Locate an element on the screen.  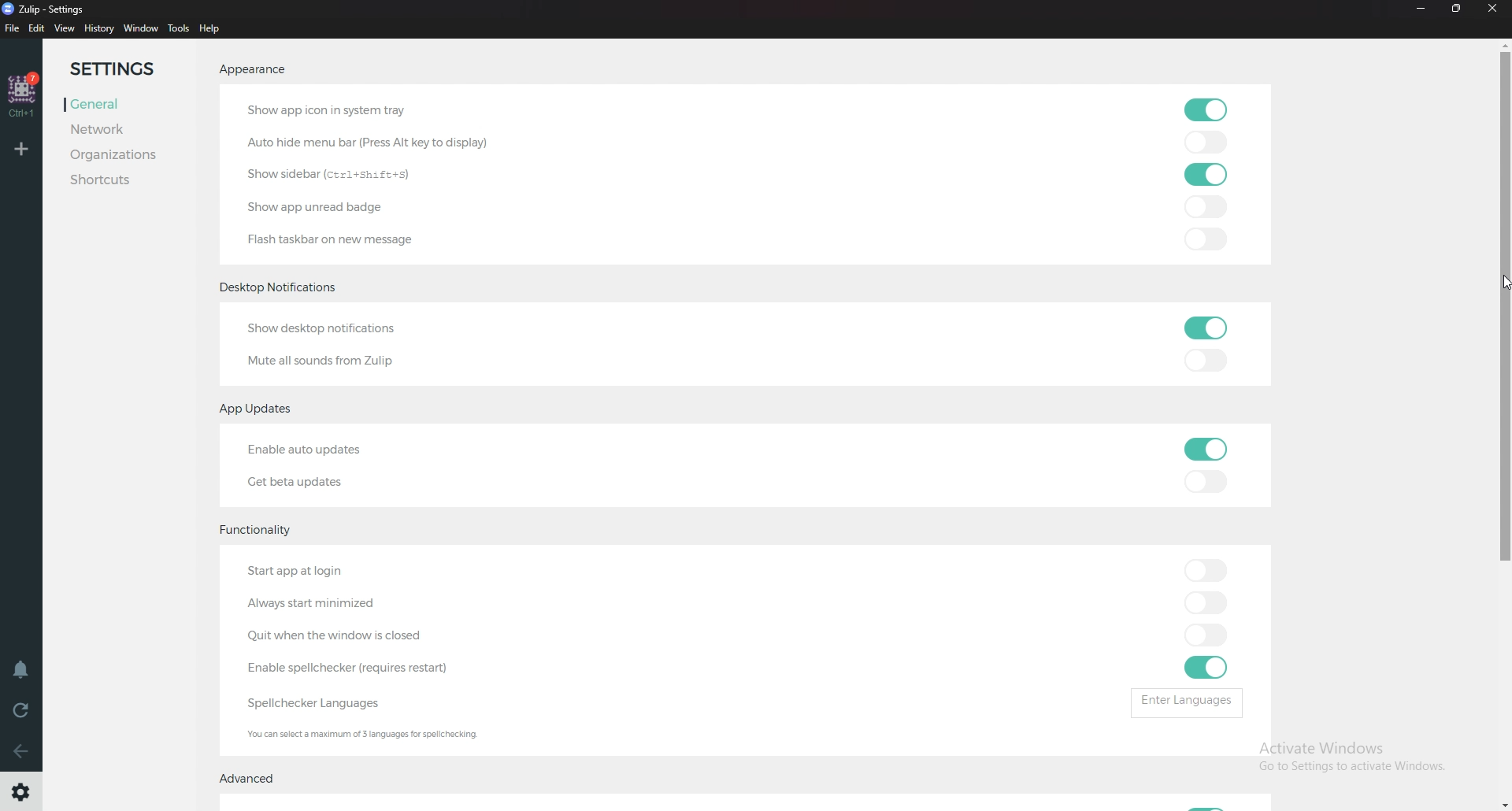
toggle is located at coordinates (1206, 142).